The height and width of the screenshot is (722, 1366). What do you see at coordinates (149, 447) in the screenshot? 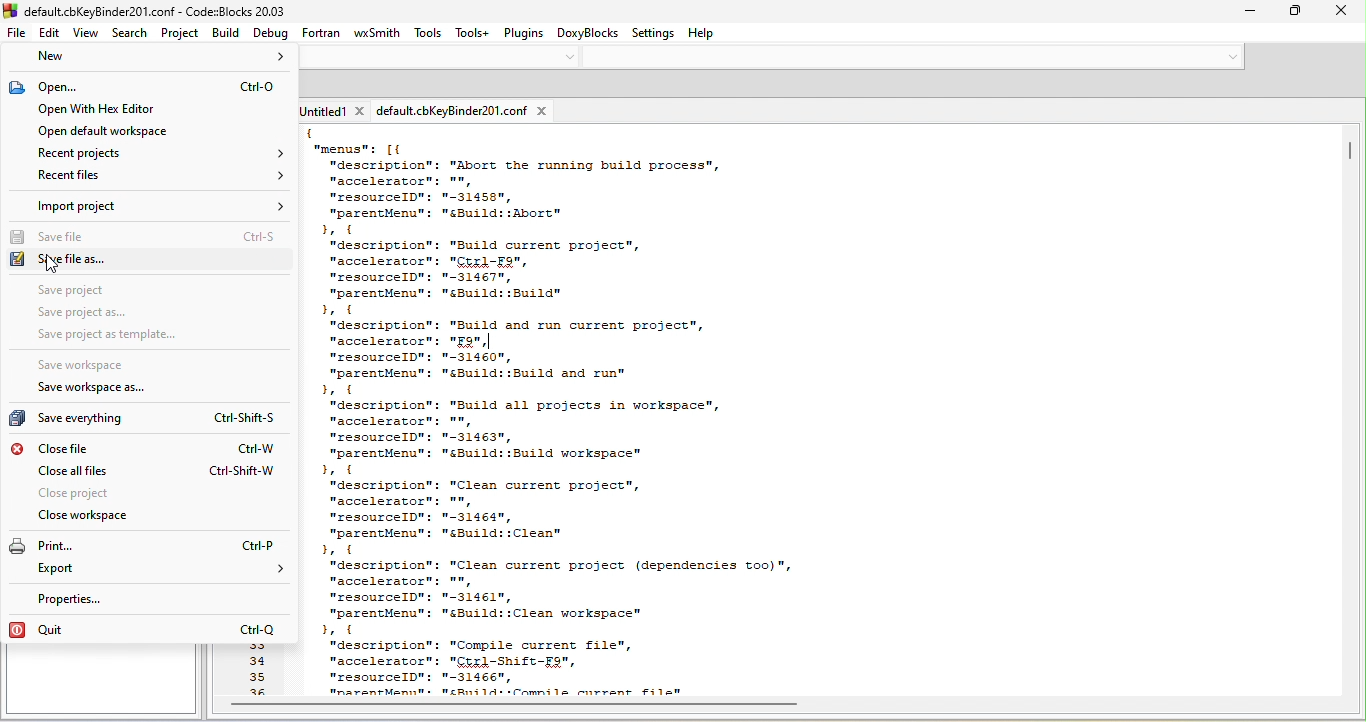
I see `close file` at bounding box center [149, 447].